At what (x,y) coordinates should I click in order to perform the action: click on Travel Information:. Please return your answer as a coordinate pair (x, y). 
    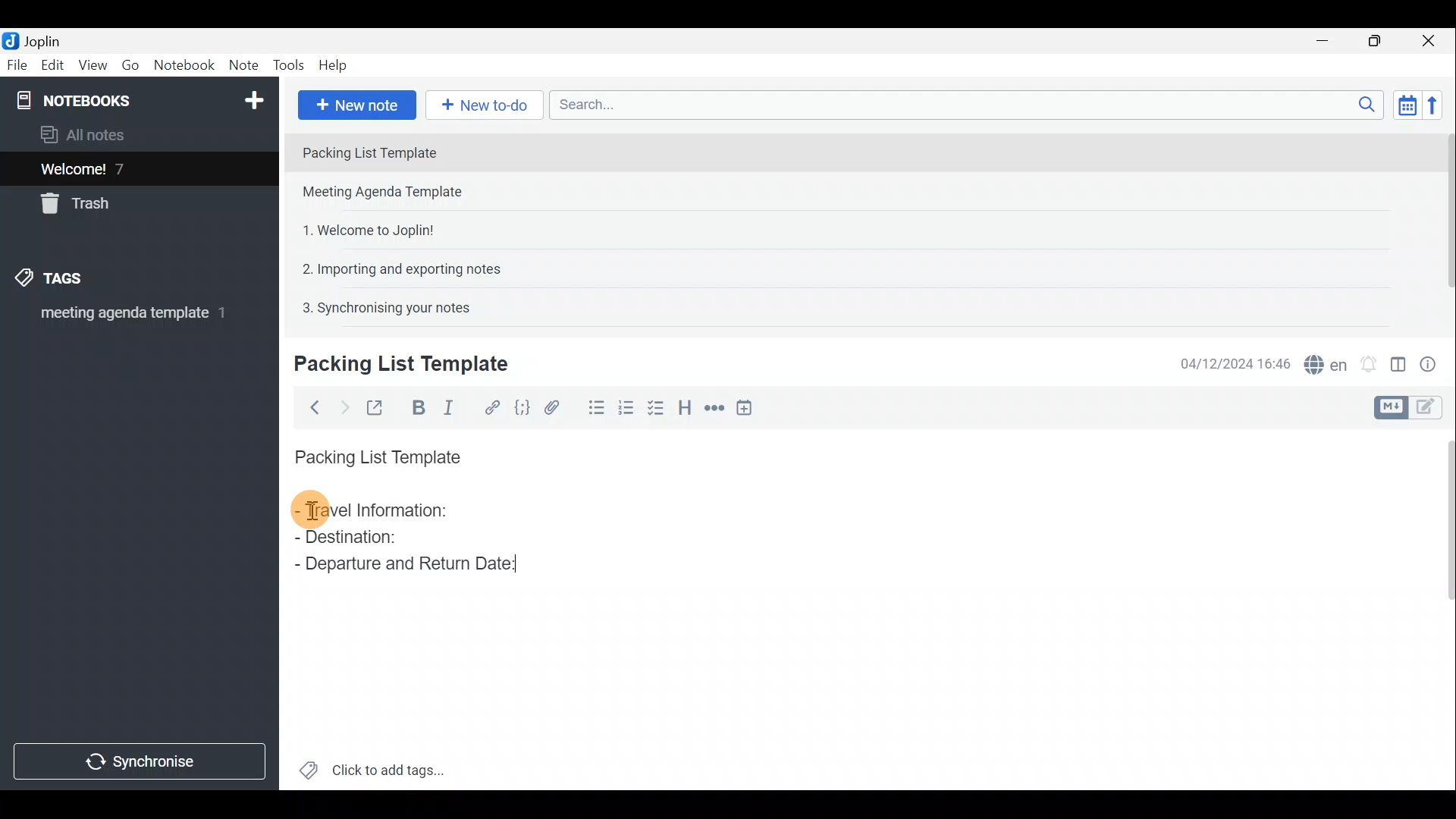
    Looking at the image, I should click on (384, 512).